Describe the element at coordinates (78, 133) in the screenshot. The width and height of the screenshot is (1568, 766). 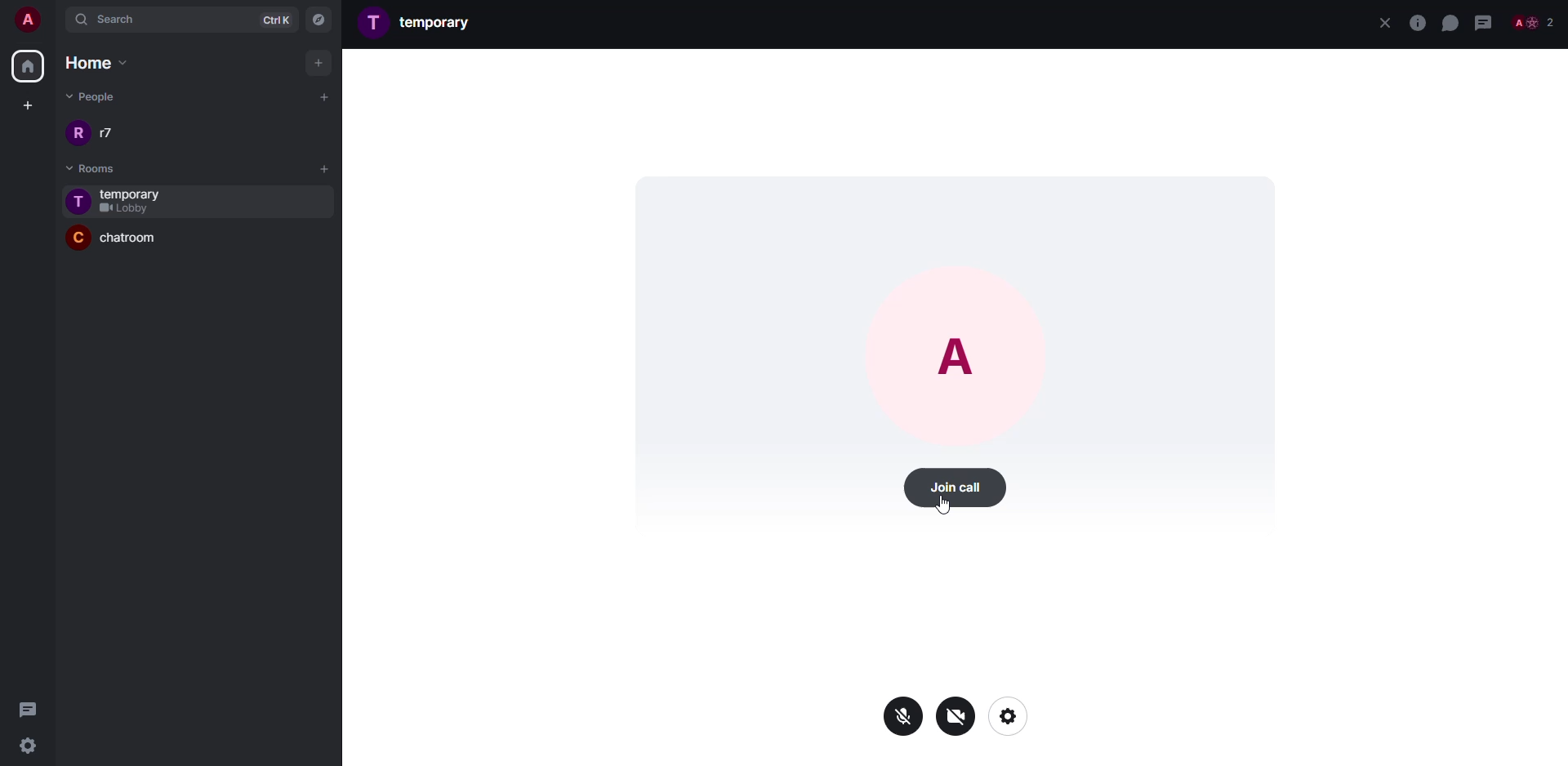
I see `profile` at that location.